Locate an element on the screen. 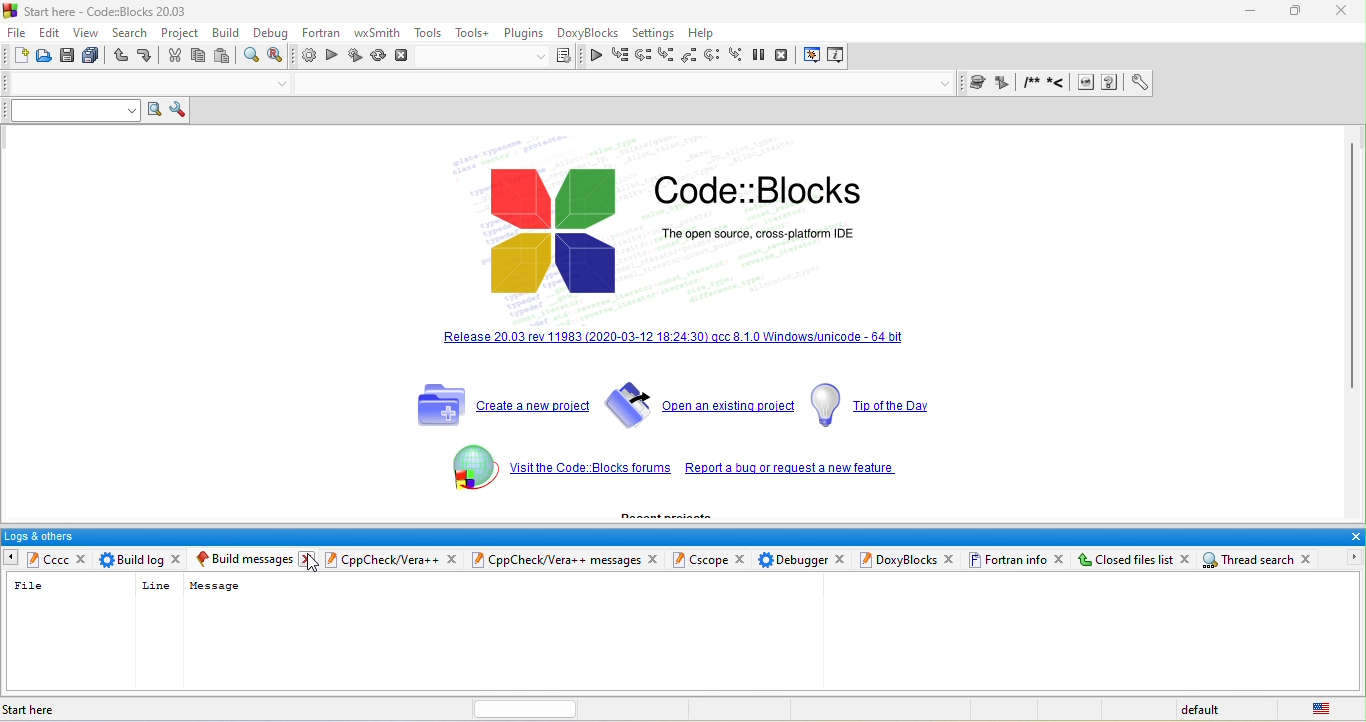  file is located at coordinates (30, 587).